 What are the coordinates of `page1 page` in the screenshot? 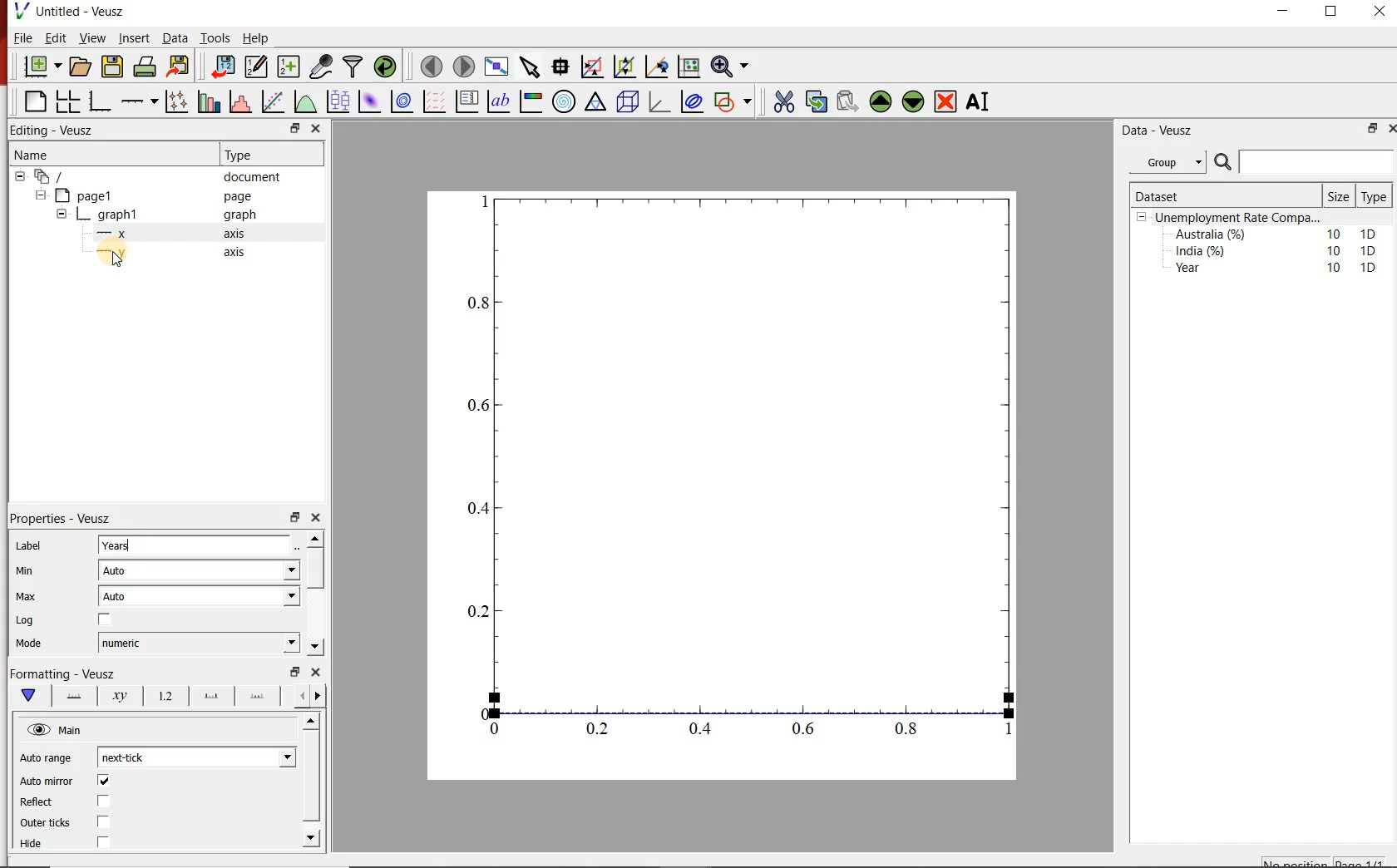 It's located at (160, 195).